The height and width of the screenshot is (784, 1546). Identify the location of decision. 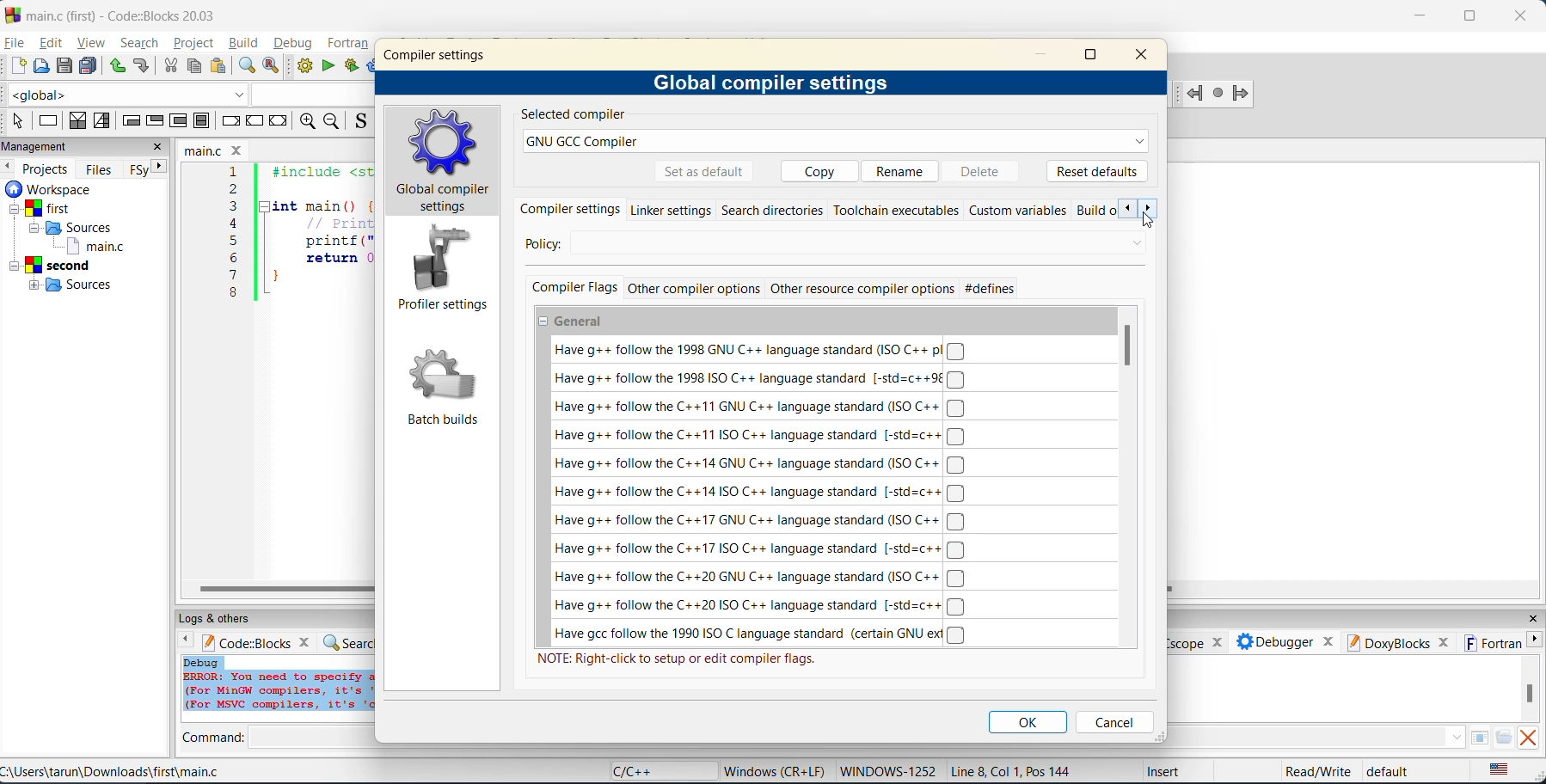
(77, 122).